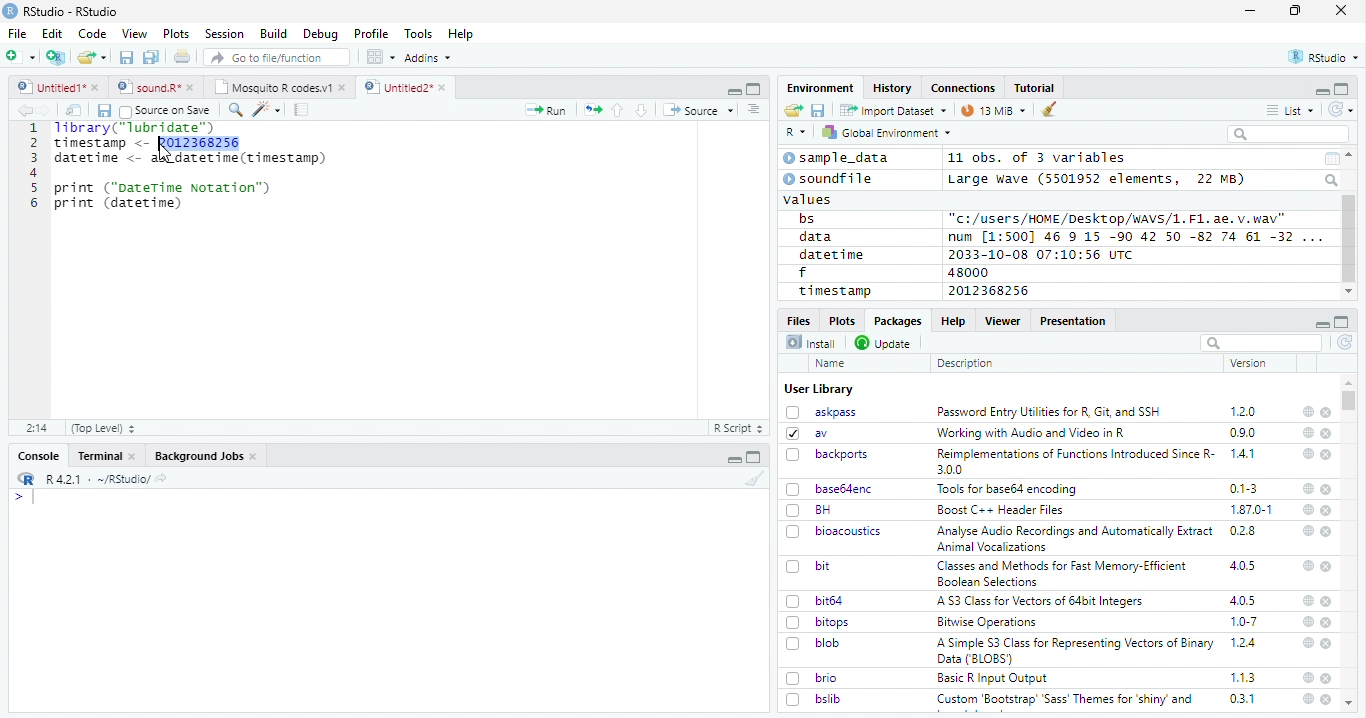 The height and width of the screenshot is (718, 1366). Describe the element at coordinates (188, 144) in the screenshot. I see `library ("lubridate") Timestamp <- 2012368256]datetime <- as_datetime(timestamp)` at that location.